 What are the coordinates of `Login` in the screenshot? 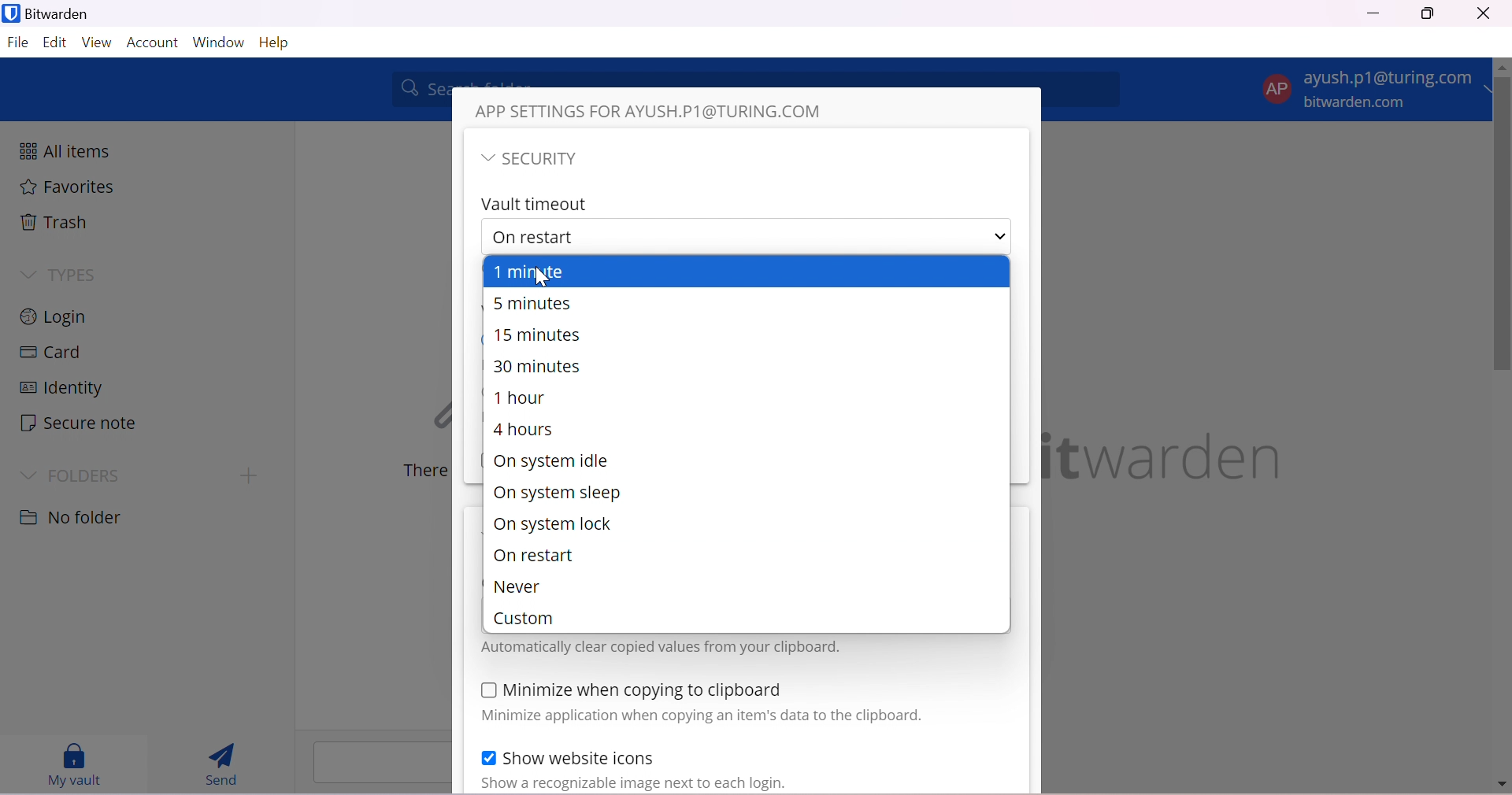 It's located at (57, 315).